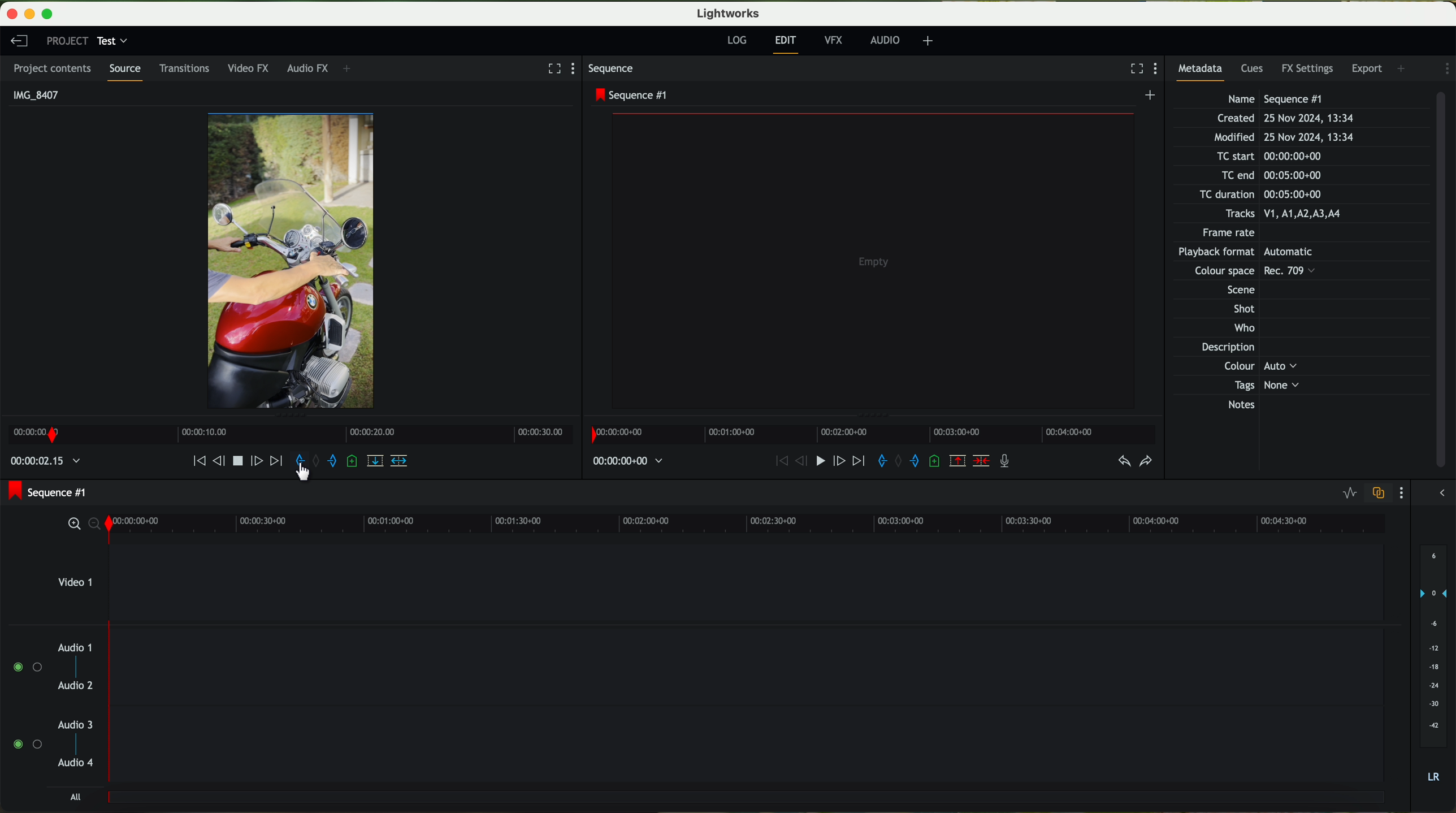 The height and width of the screenshot is (813, 1456). Describe the element at coordinates (883, 40) in the screenshot. I see `AUDIO` at that location.